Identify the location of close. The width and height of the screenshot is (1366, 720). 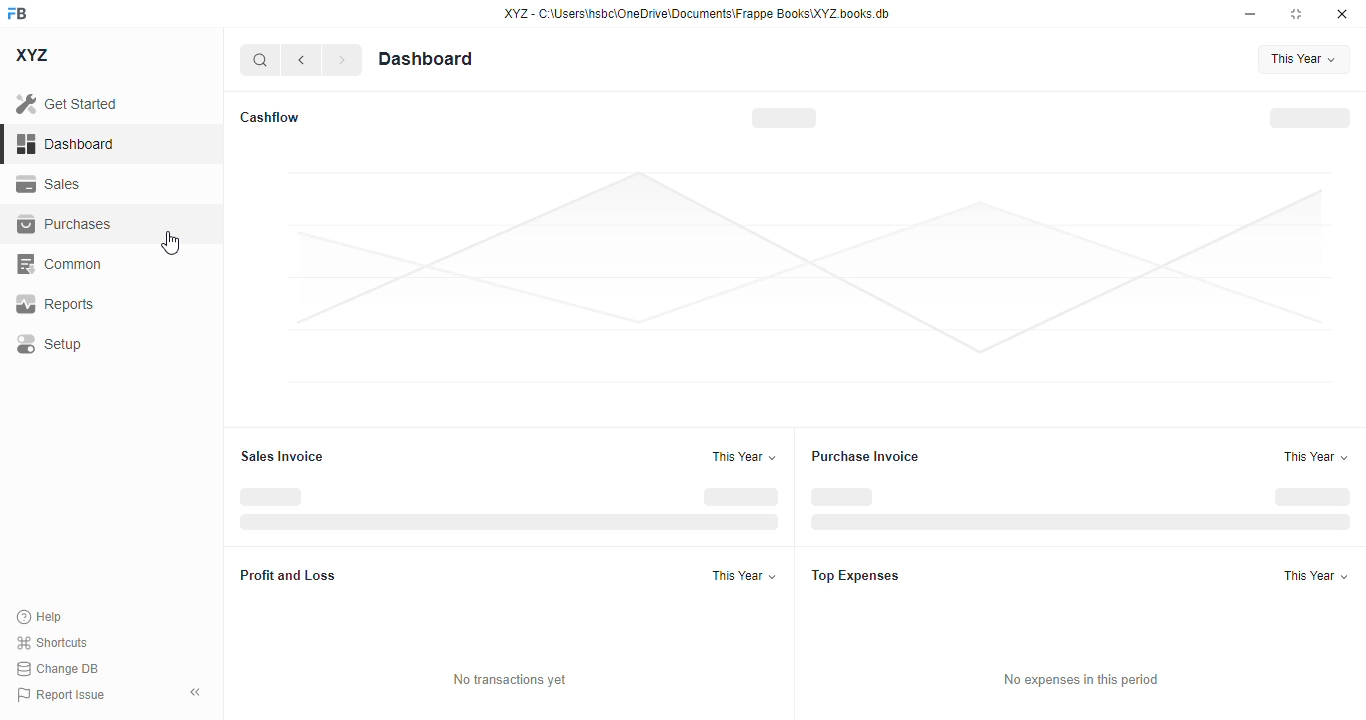
(1342, 13).